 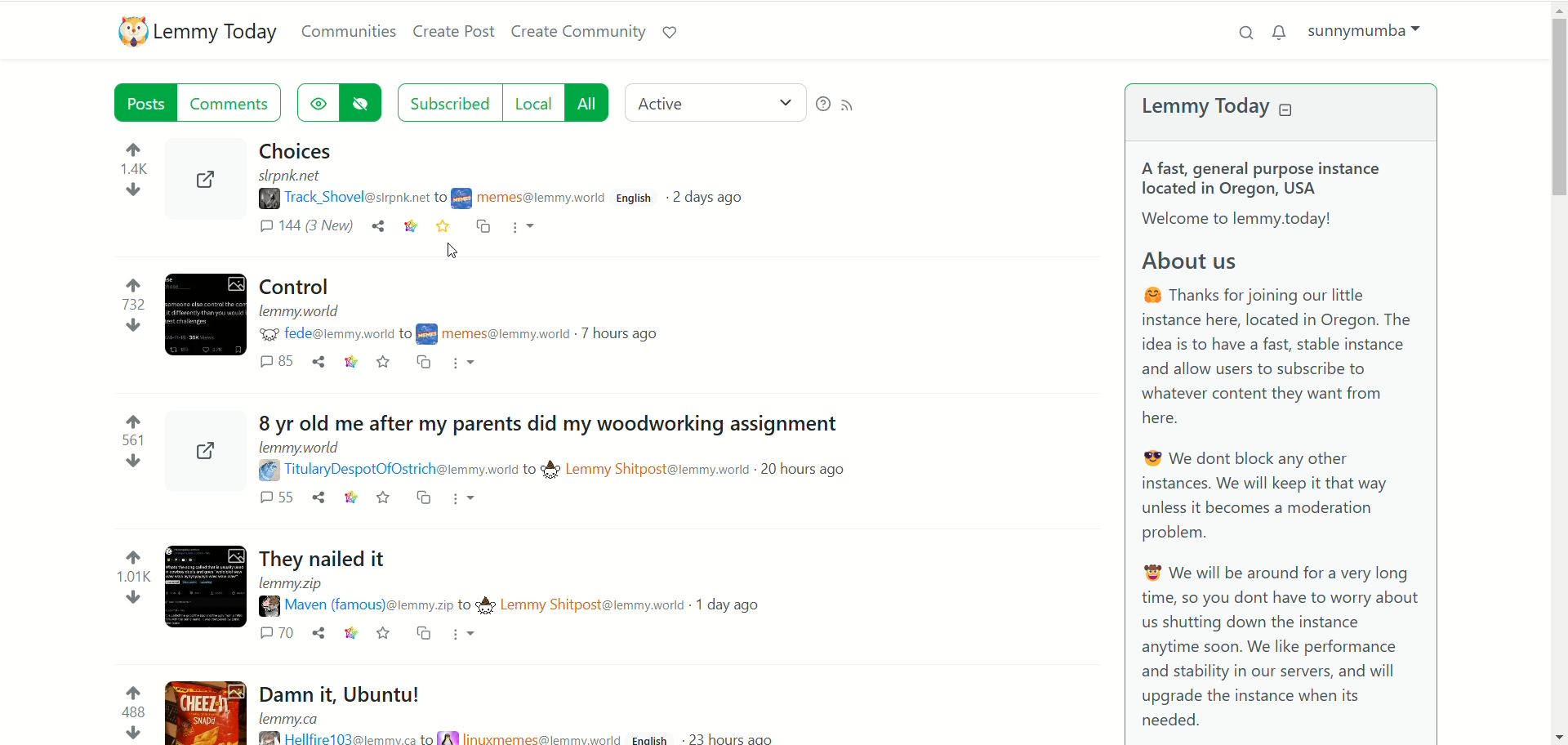 I want to click on Pointer (clicked save), so click(x=449, y=249).